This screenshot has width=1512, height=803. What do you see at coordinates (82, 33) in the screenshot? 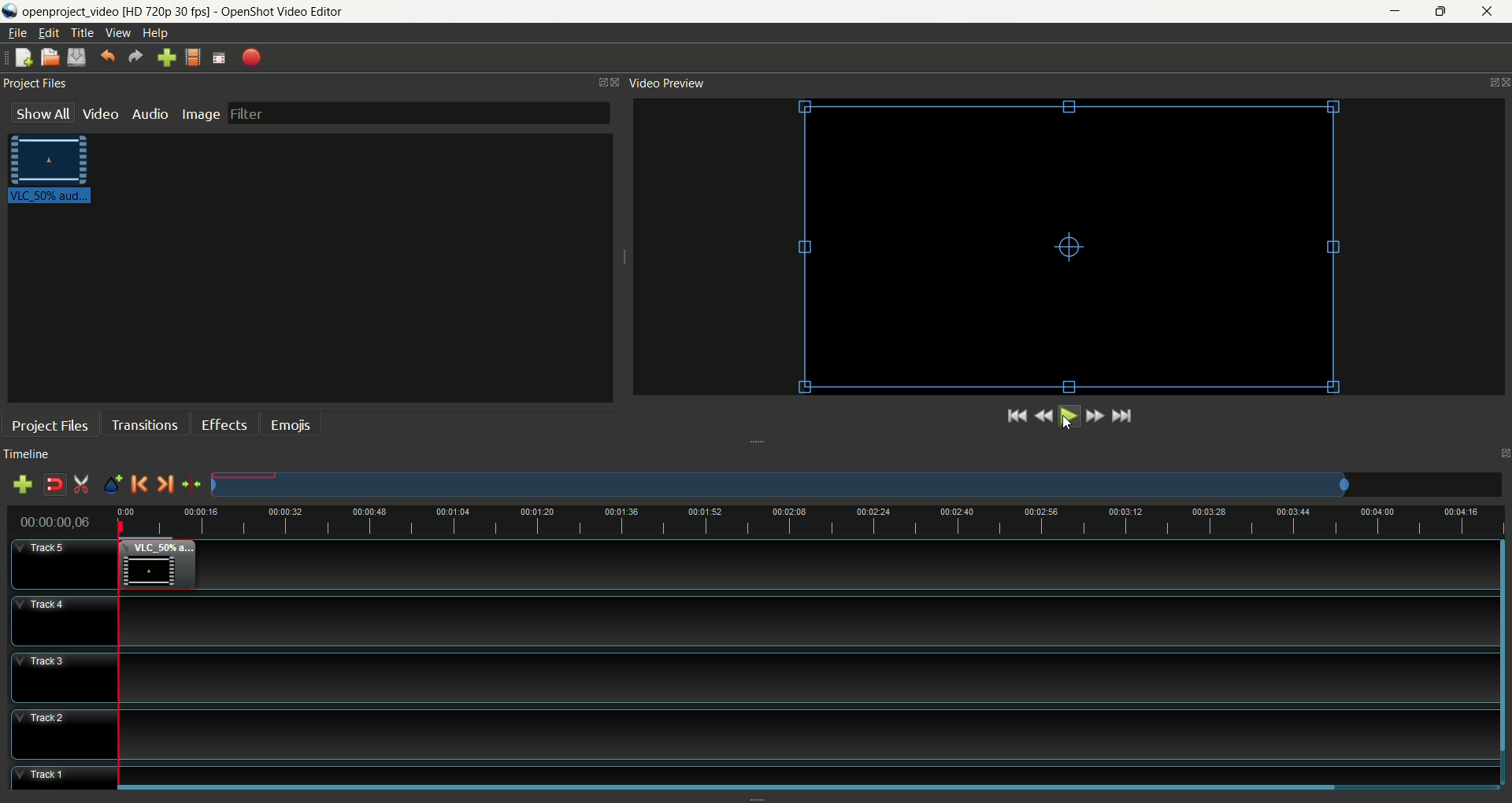
I see `title` at bounding box center [82, 33].